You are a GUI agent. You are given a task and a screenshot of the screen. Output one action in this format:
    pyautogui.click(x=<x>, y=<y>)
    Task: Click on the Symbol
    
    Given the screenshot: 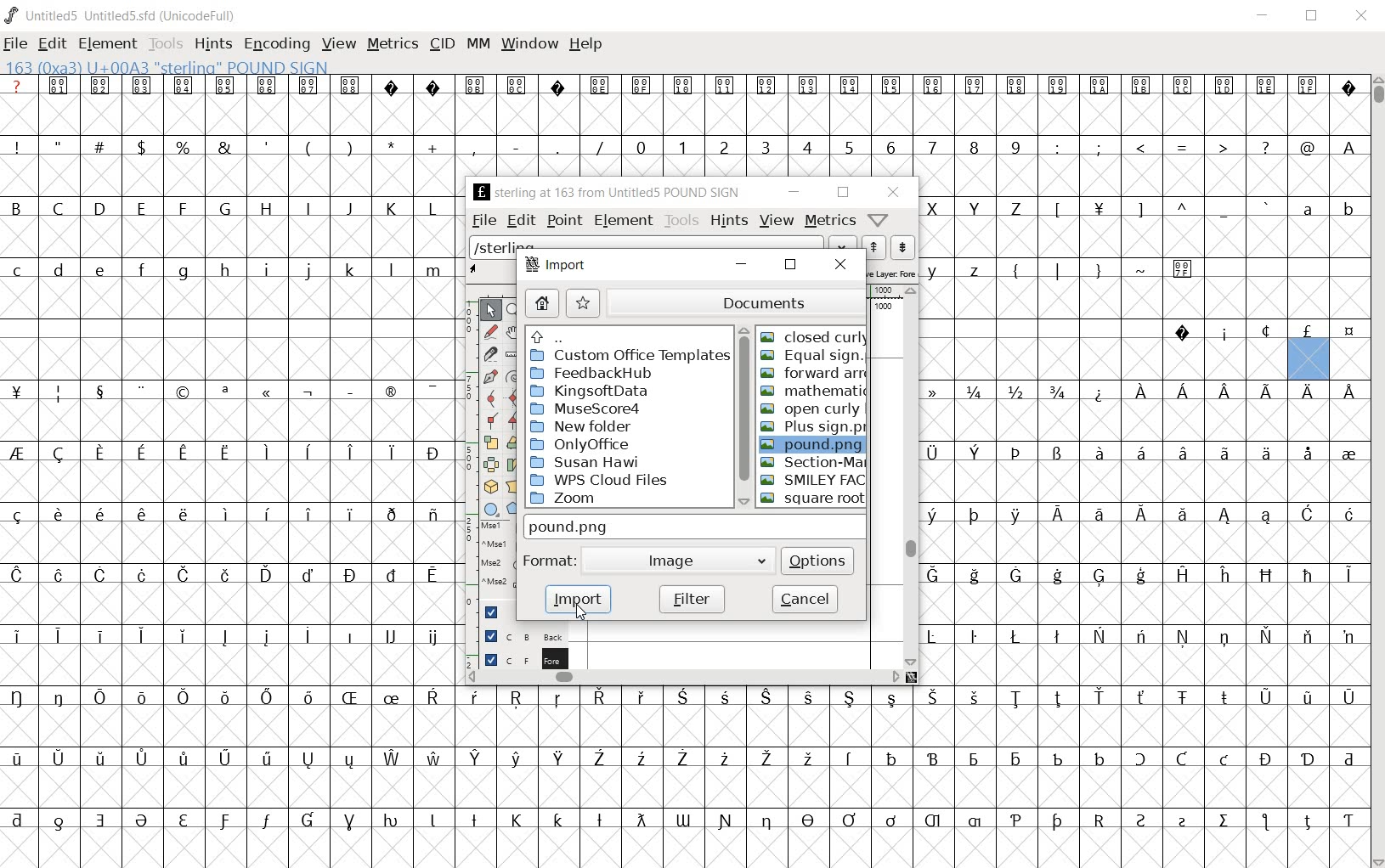 What is the action you would take?
    pyautogui.click(x=975, y=697)
    